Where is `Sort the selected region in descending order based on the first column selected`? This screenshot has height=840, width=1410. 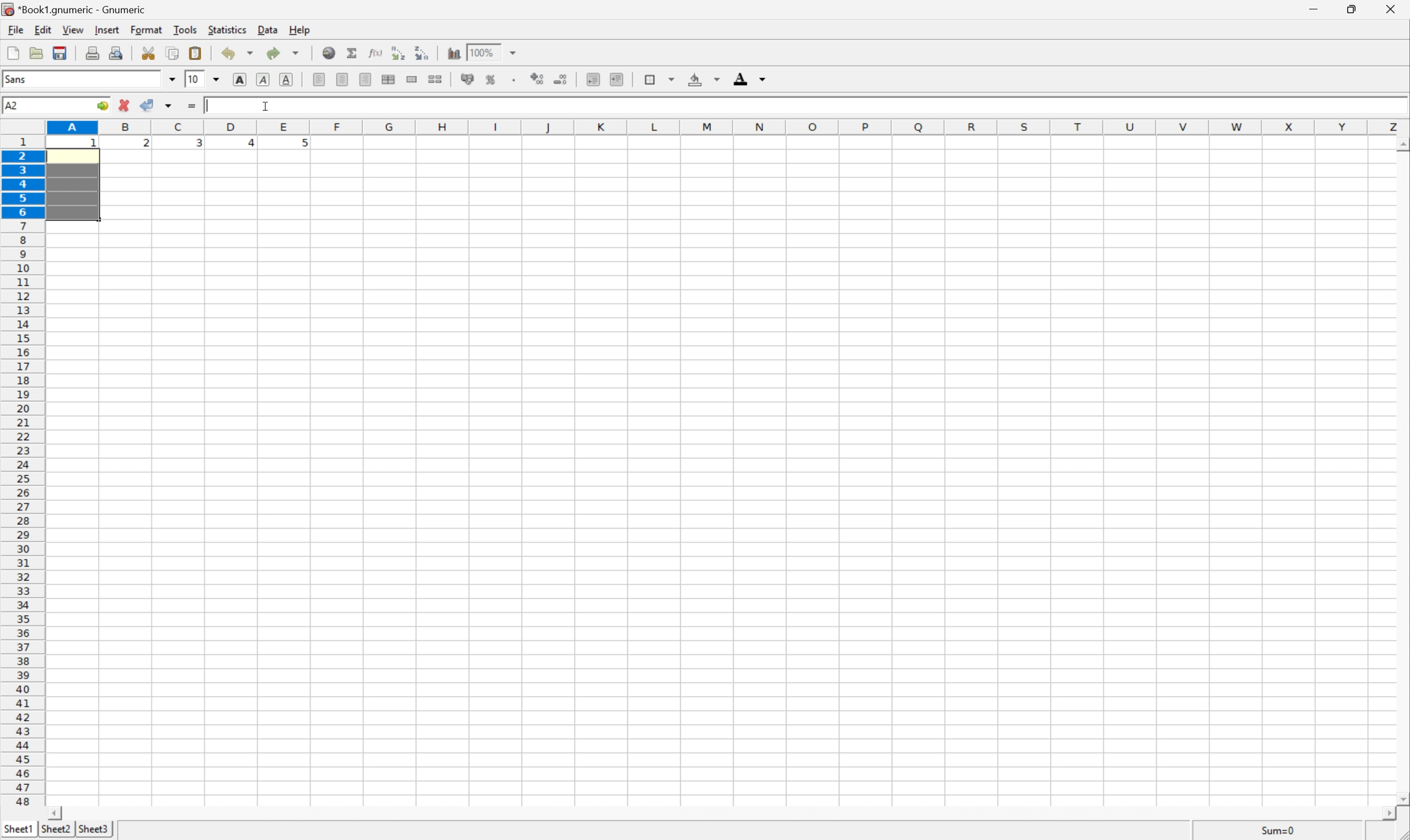
Sort the selected region in descending order based on the first column selected is located at coordinates (422, 53).